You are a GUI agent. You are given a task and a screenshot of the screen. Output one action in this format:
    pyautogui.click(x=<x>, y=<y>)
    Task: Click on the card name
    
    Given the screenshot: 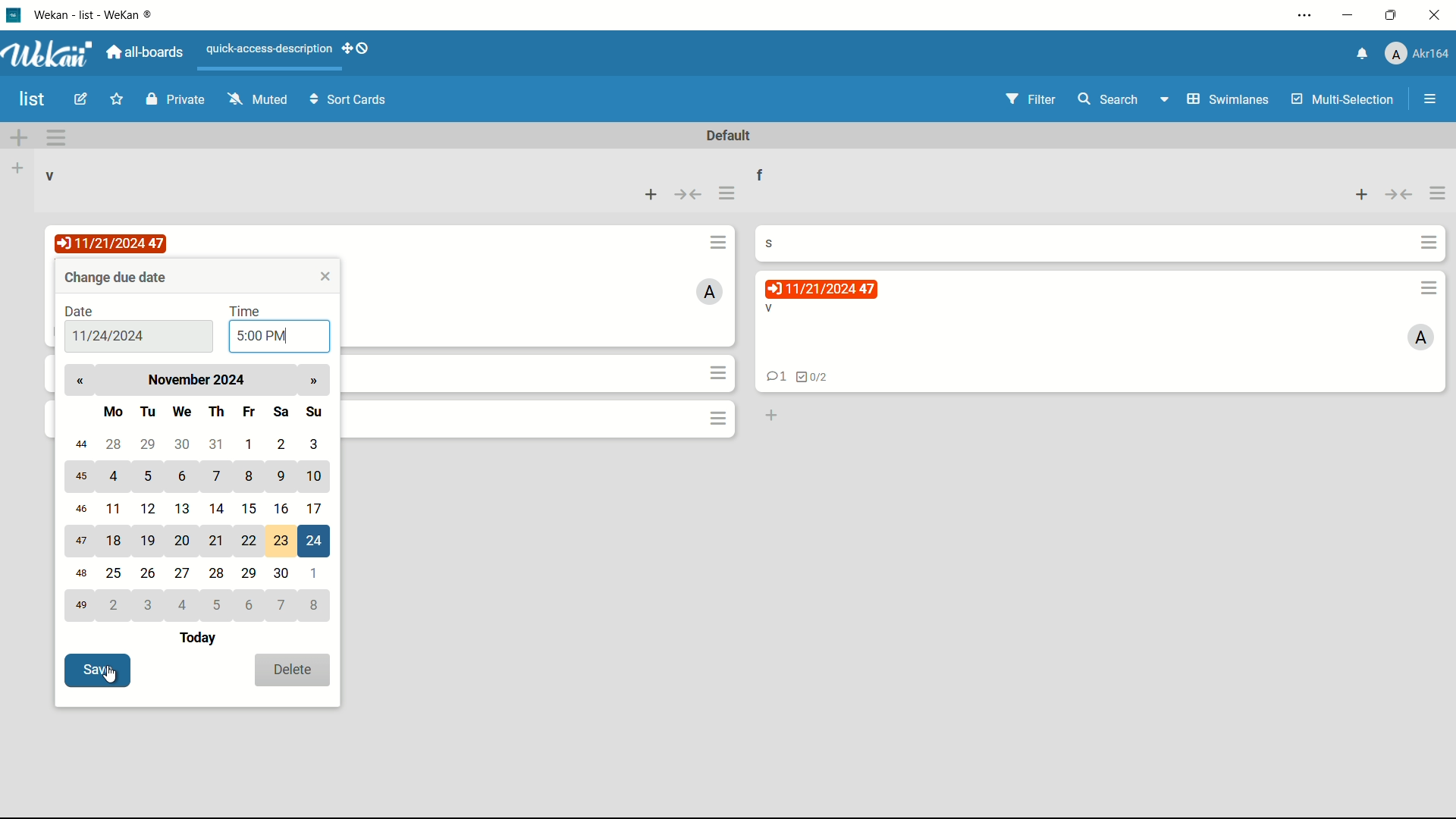 What is the action you would take?
    pyautogui.click(x=777, y=242)
    